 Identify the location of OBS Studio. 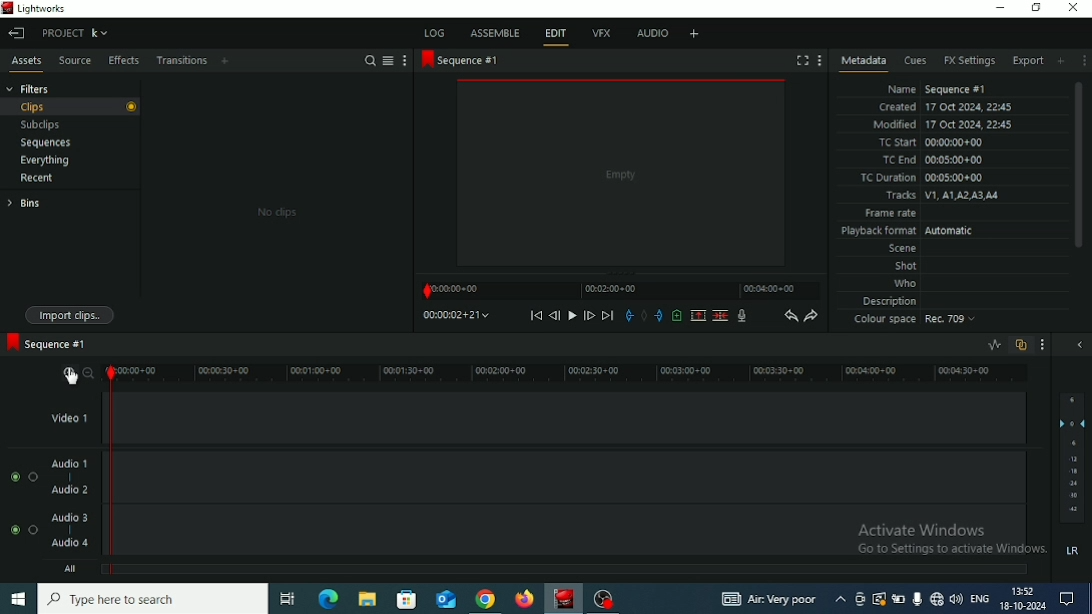
(603, 600).